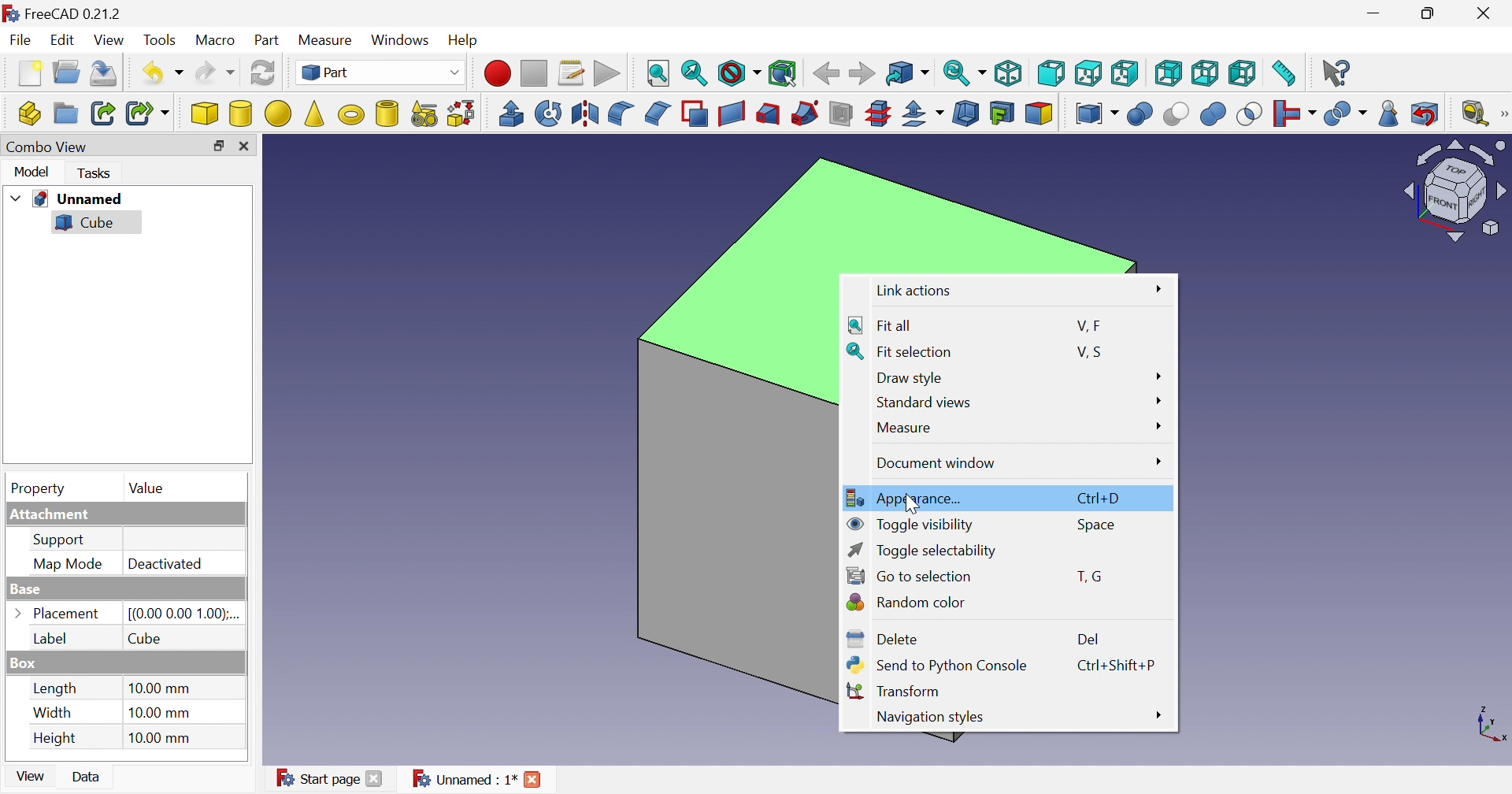 The width and height of the screenshot is (1512, 794). What do you see at coordinates (33, 172) in the screenshot?
I see `Model` at bounding box center [33, 172].